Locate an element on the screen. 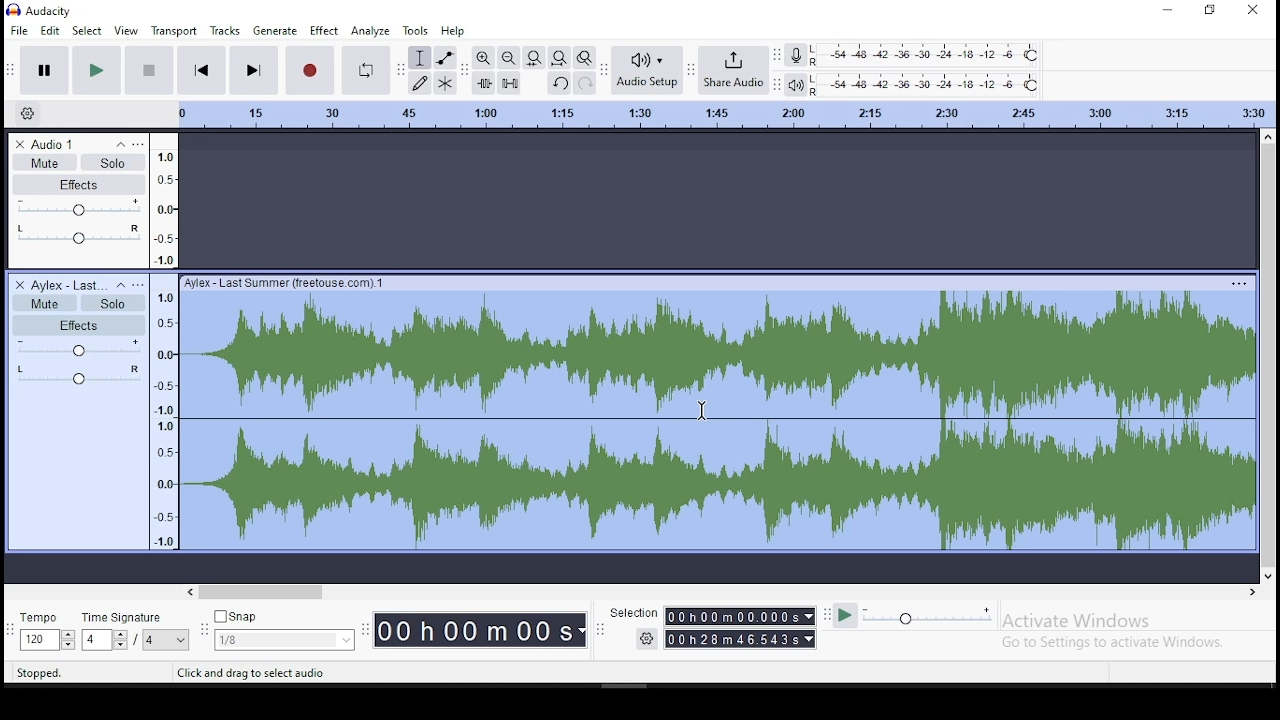 This screenshot has height=720, width=1280. hare audio is located at coordinates (735, 71).